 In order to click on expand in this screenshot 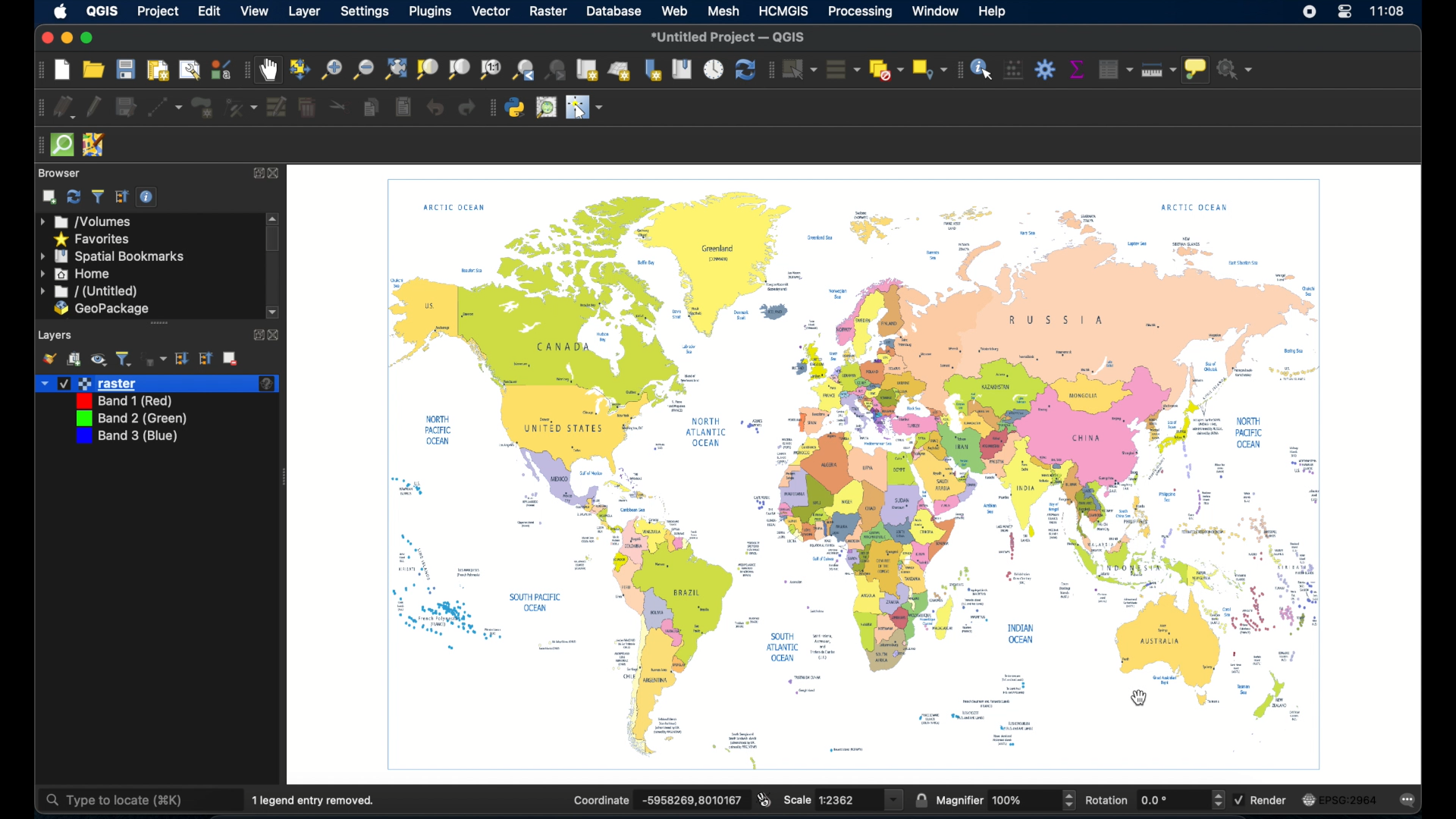, I will do `click(254, 335)`.